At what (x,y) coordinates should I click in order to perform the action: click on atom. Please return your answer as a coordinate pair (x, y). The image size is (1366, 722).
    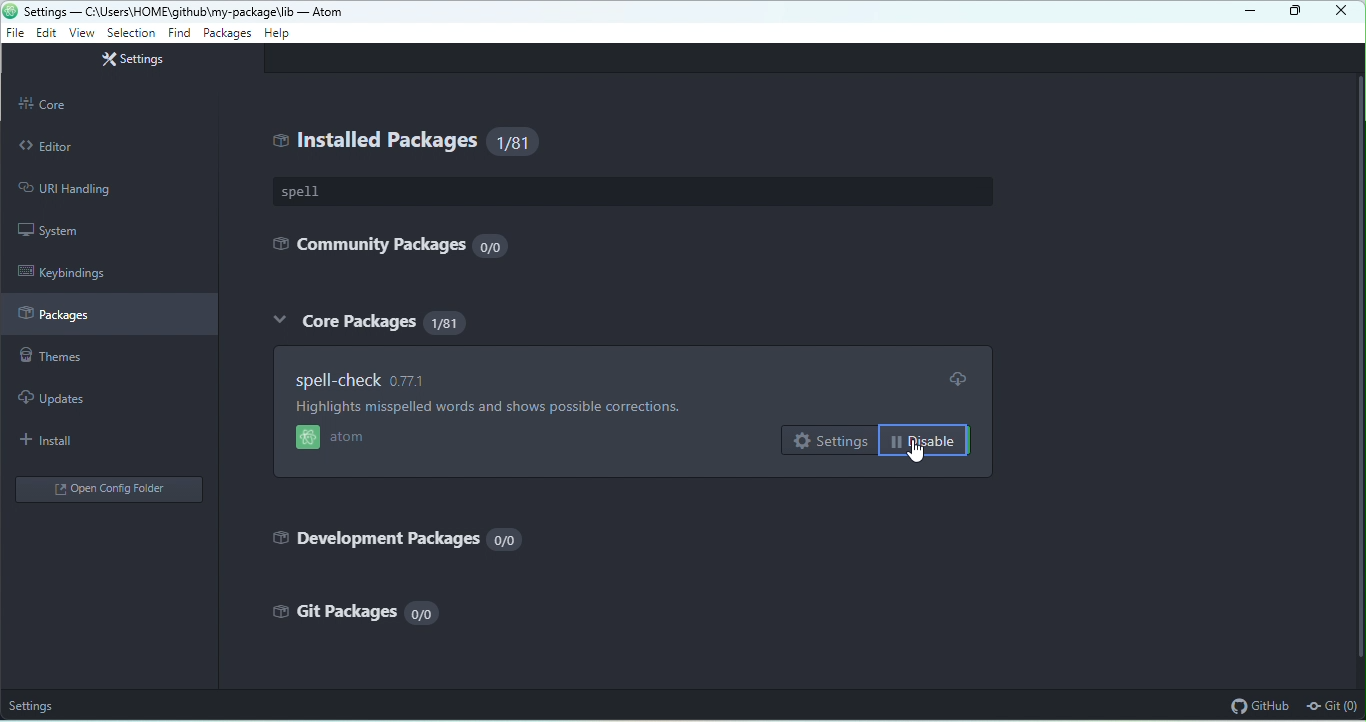
    Looking at the image, I should click on (336, 440).